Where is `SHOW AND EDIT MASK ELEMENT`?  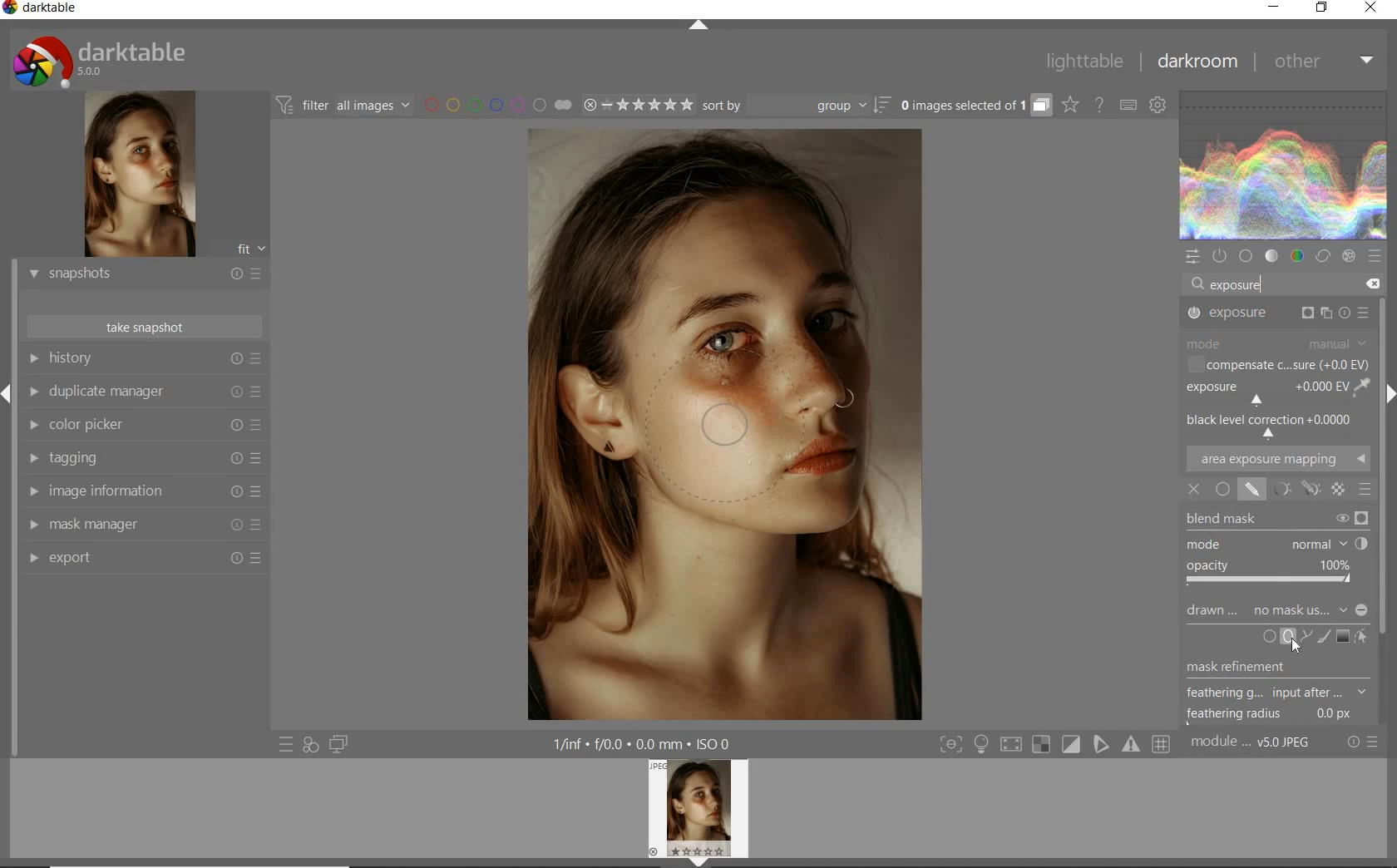
SHOW AND EDIT MASK ELEMENT is located at coordinates (1363, 638).